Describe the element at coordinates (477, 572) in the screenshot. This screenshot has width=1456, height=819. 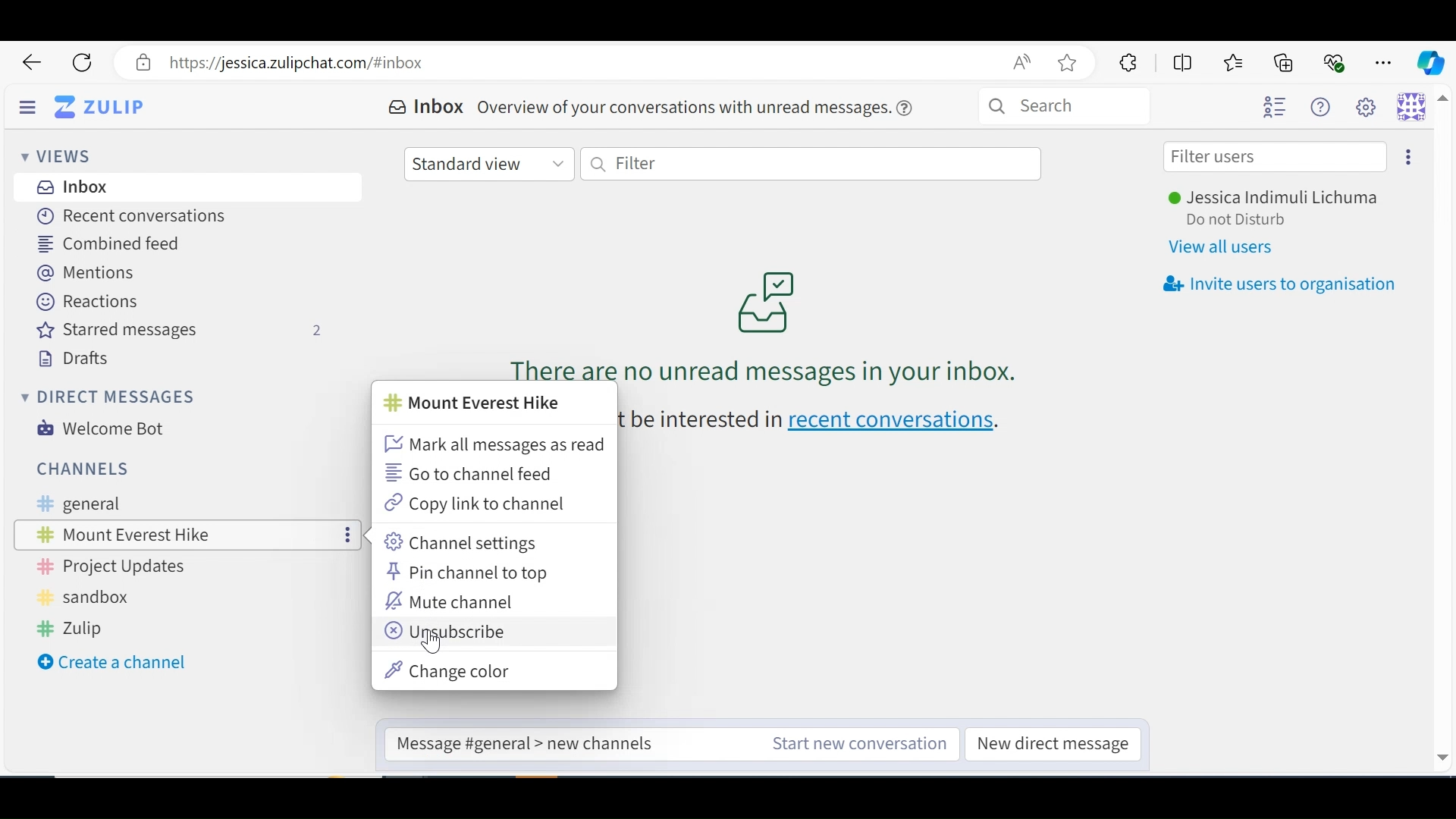
I see `Pin Channel to top` at that location.